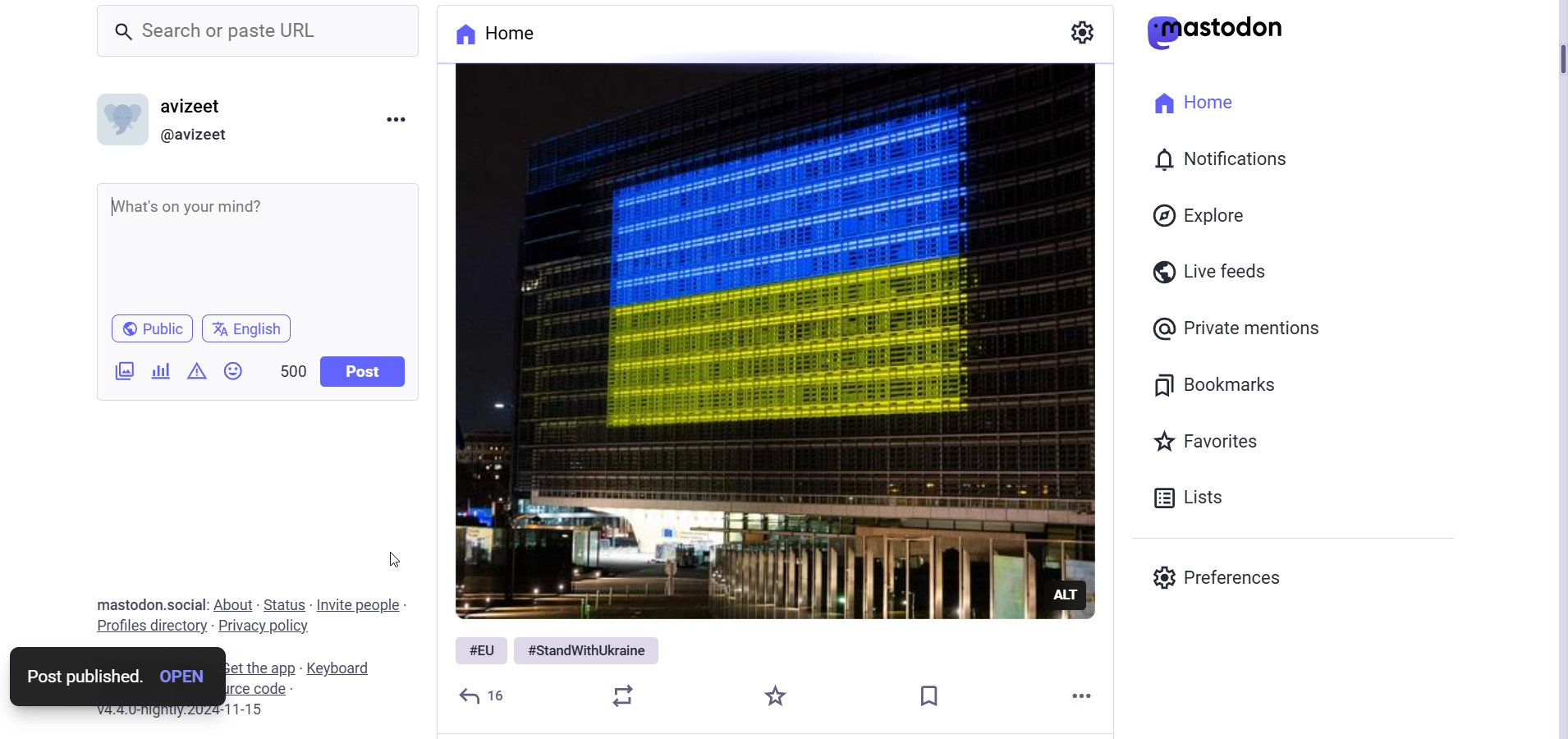 The image size is (1568, 739). What do you see at coordinates (930, 692) in the screenshot?
I see `Bookmark` at bounding box center [930, 692].